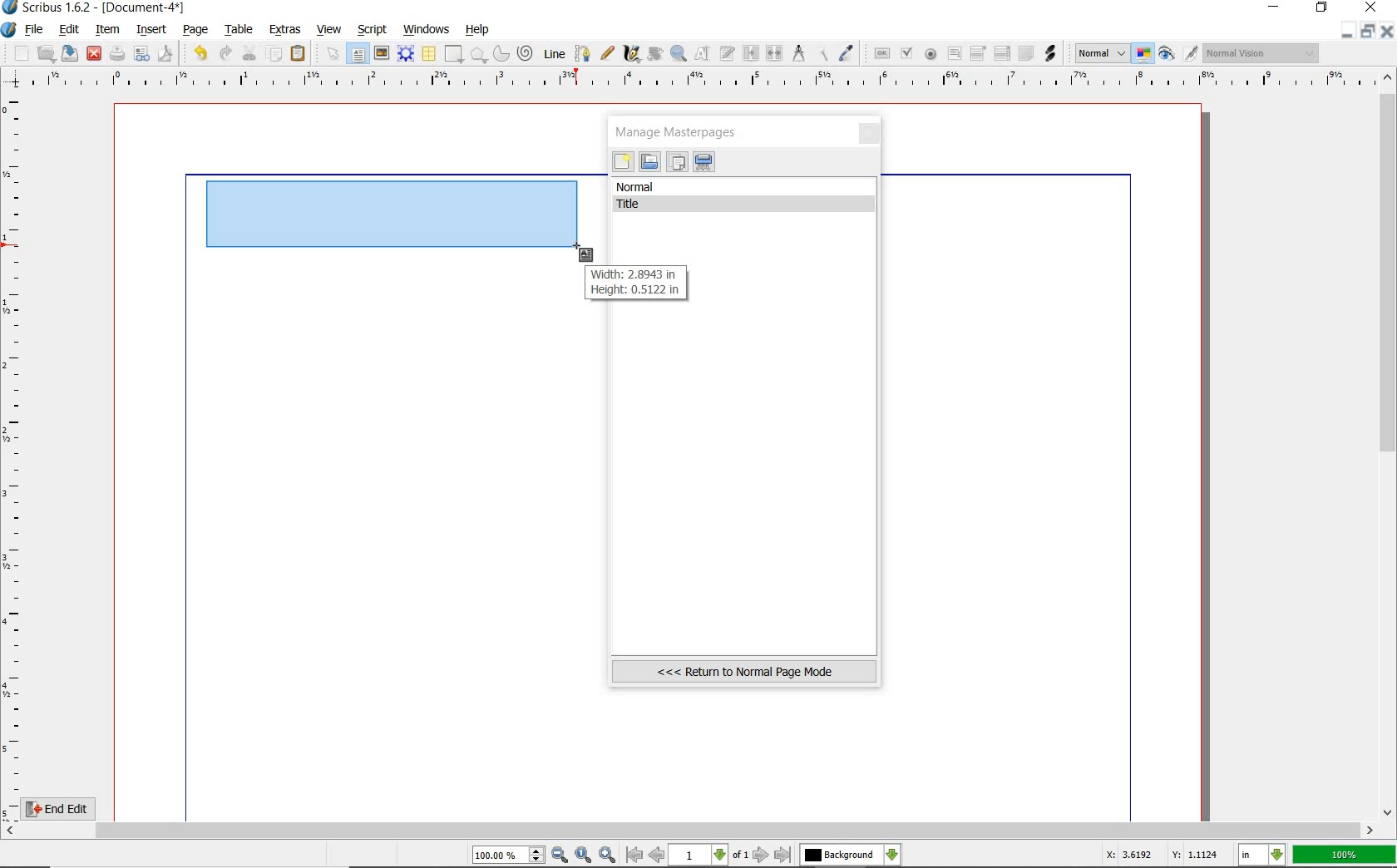 The width and height of the screenshot is (1397, 868). I want to click on table, so click(428, 54).